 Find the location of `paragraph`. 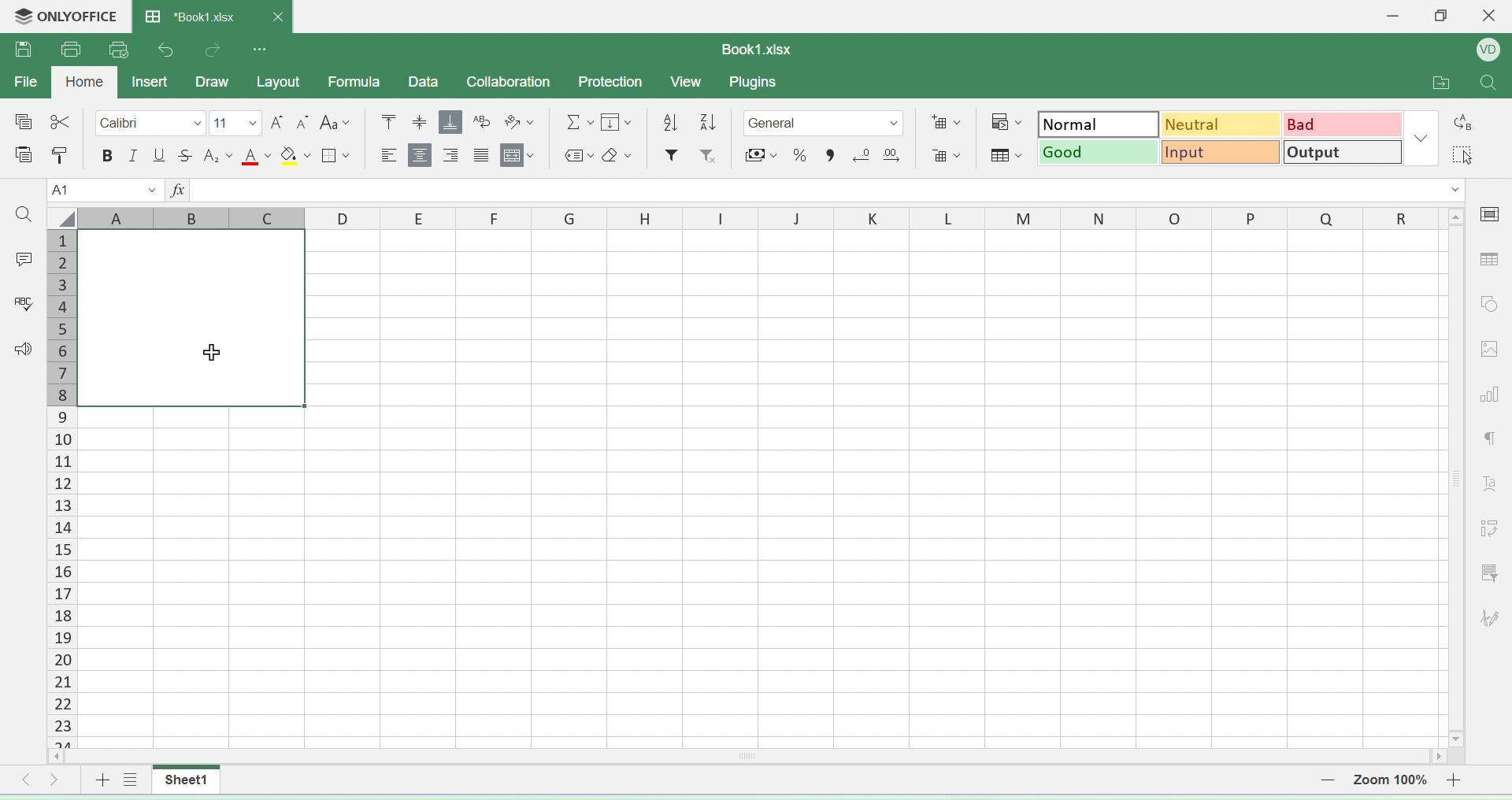

paragraph is located at coordinates (1492, 437).